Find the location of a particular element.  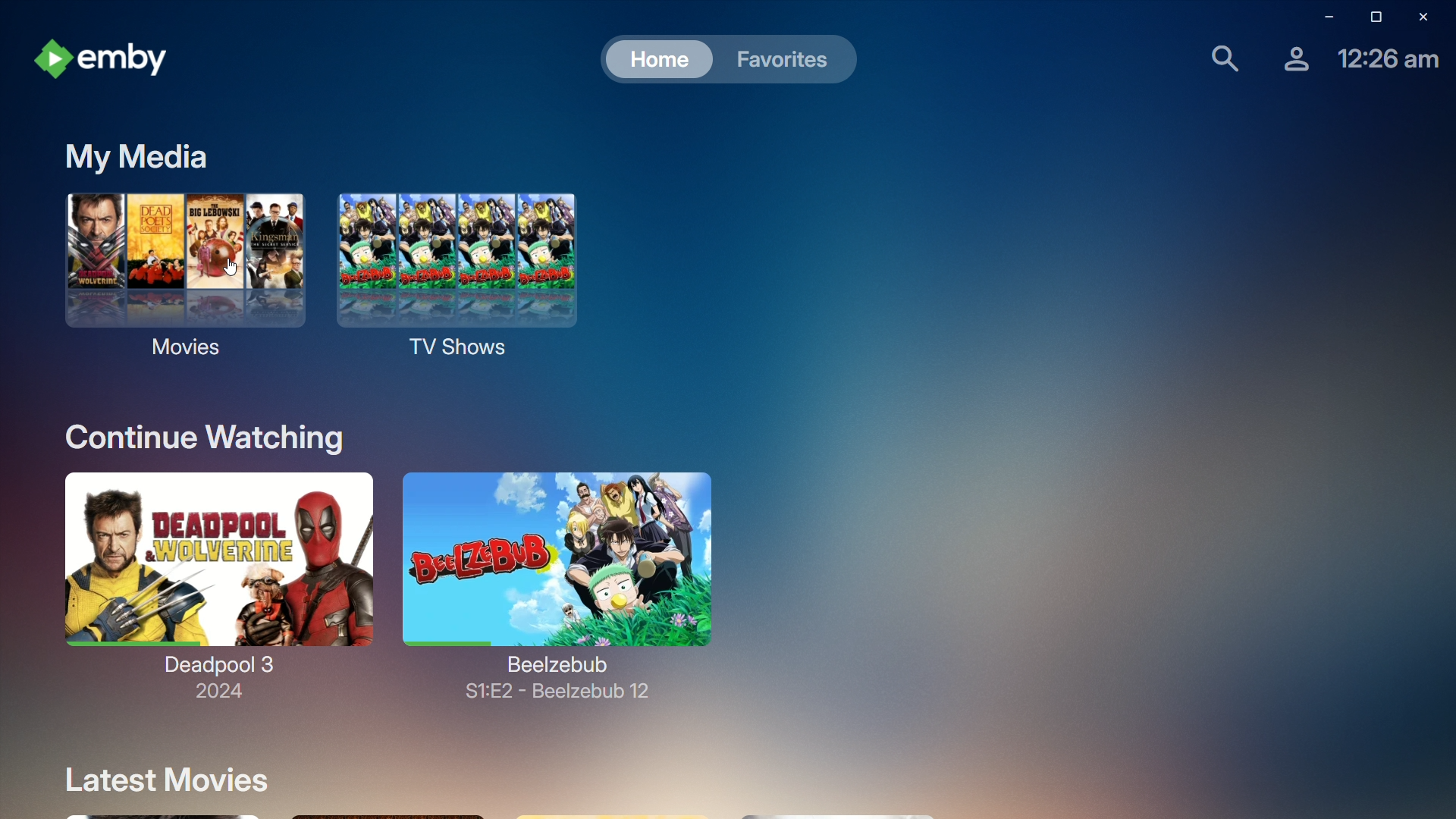

Continue Watching is located at coordinates (200, 435).